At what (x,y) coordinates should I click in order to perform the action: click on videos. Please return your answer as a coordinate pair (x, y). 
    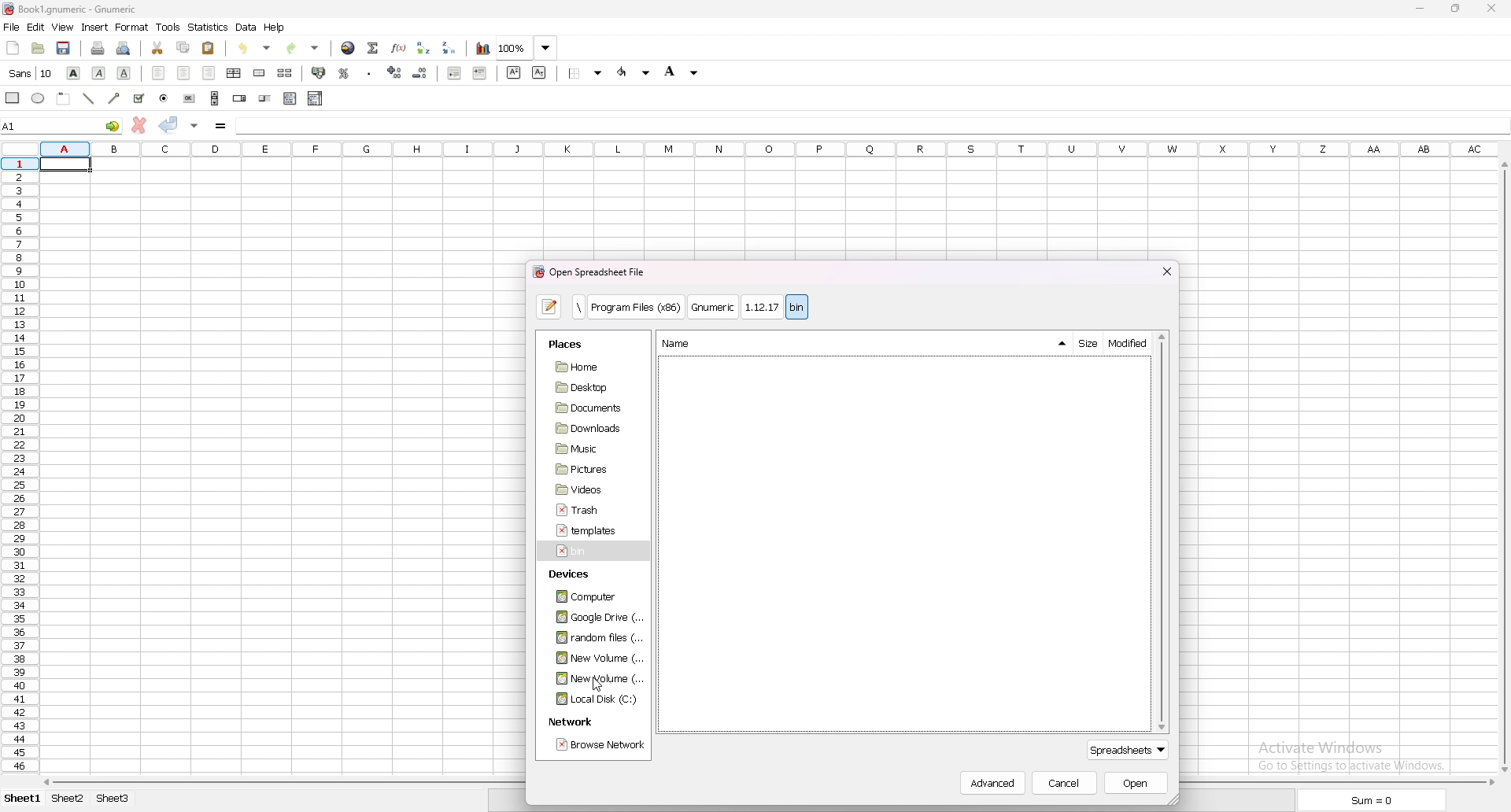
    Looking at the image, I should click on (586, 489).